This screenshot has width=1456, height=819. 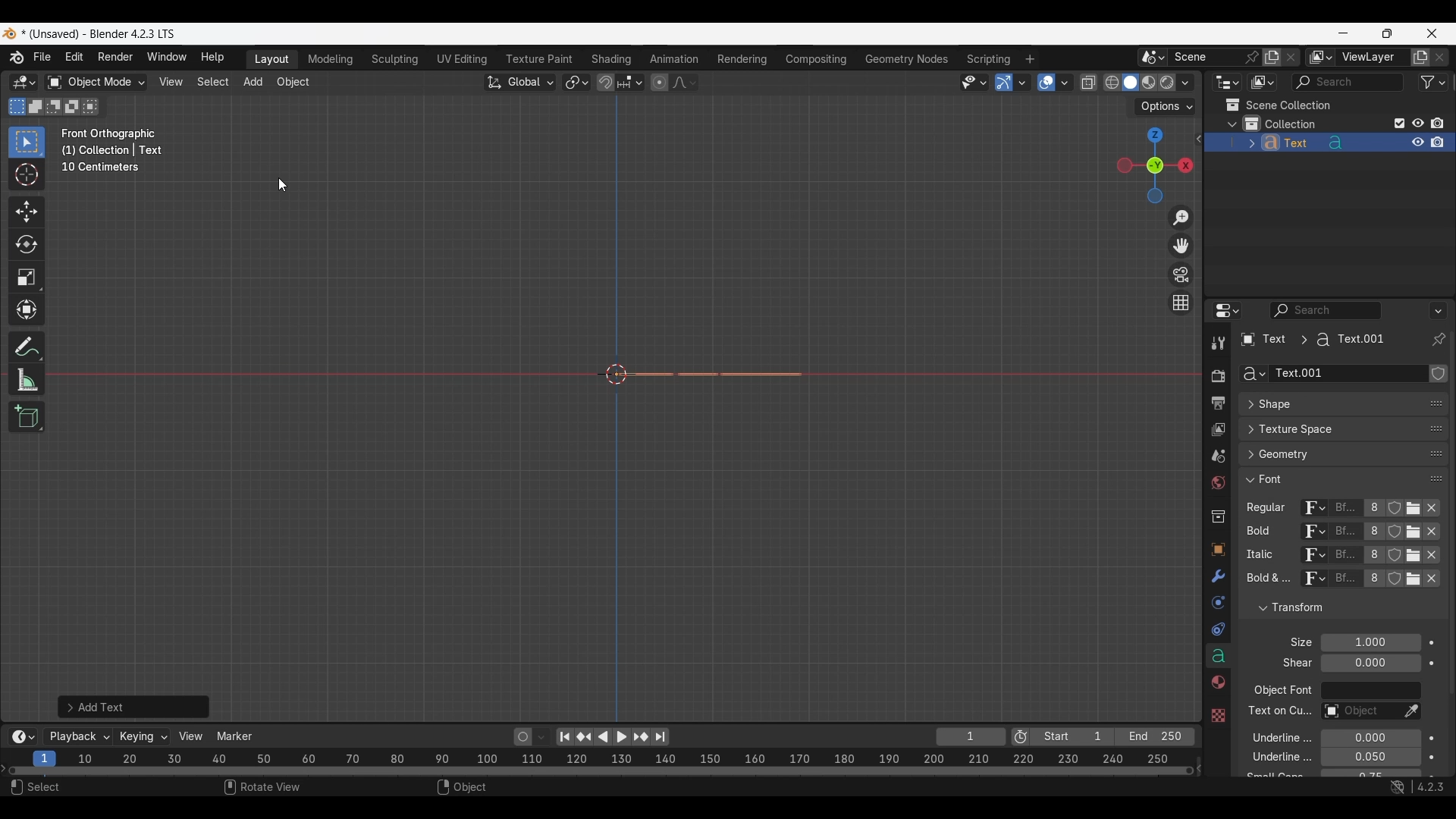 What do you see at coordinates (1021, 737) in the screenshot?
I see `Use preview range` at bounding box center [1021, 737].